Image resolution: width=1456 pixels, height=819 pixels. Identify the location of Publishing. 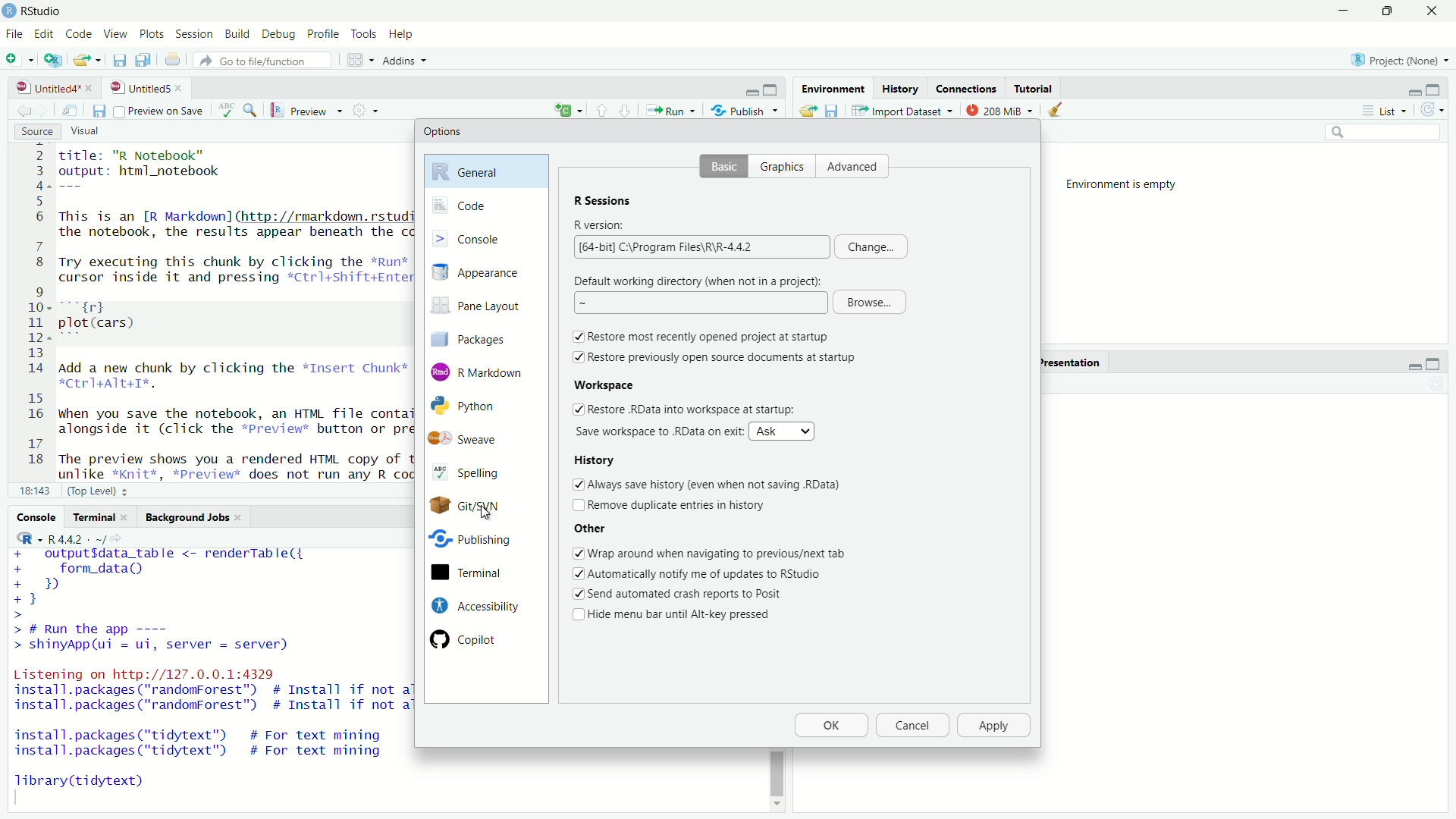
(472, 542).